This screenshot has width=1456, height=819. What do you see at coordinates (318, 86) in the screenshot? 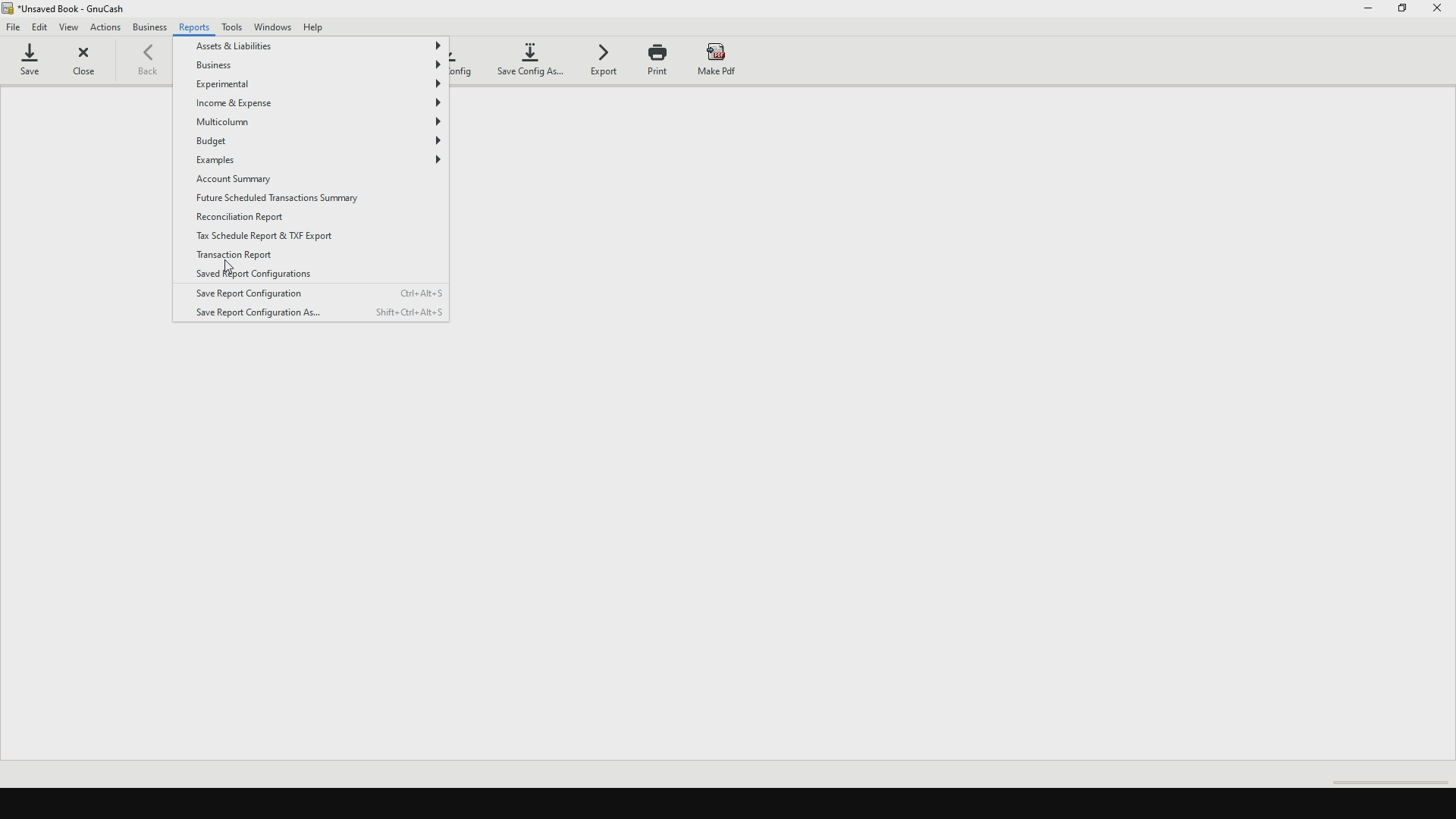
I see `experimental` at bounding box center [318, 86].